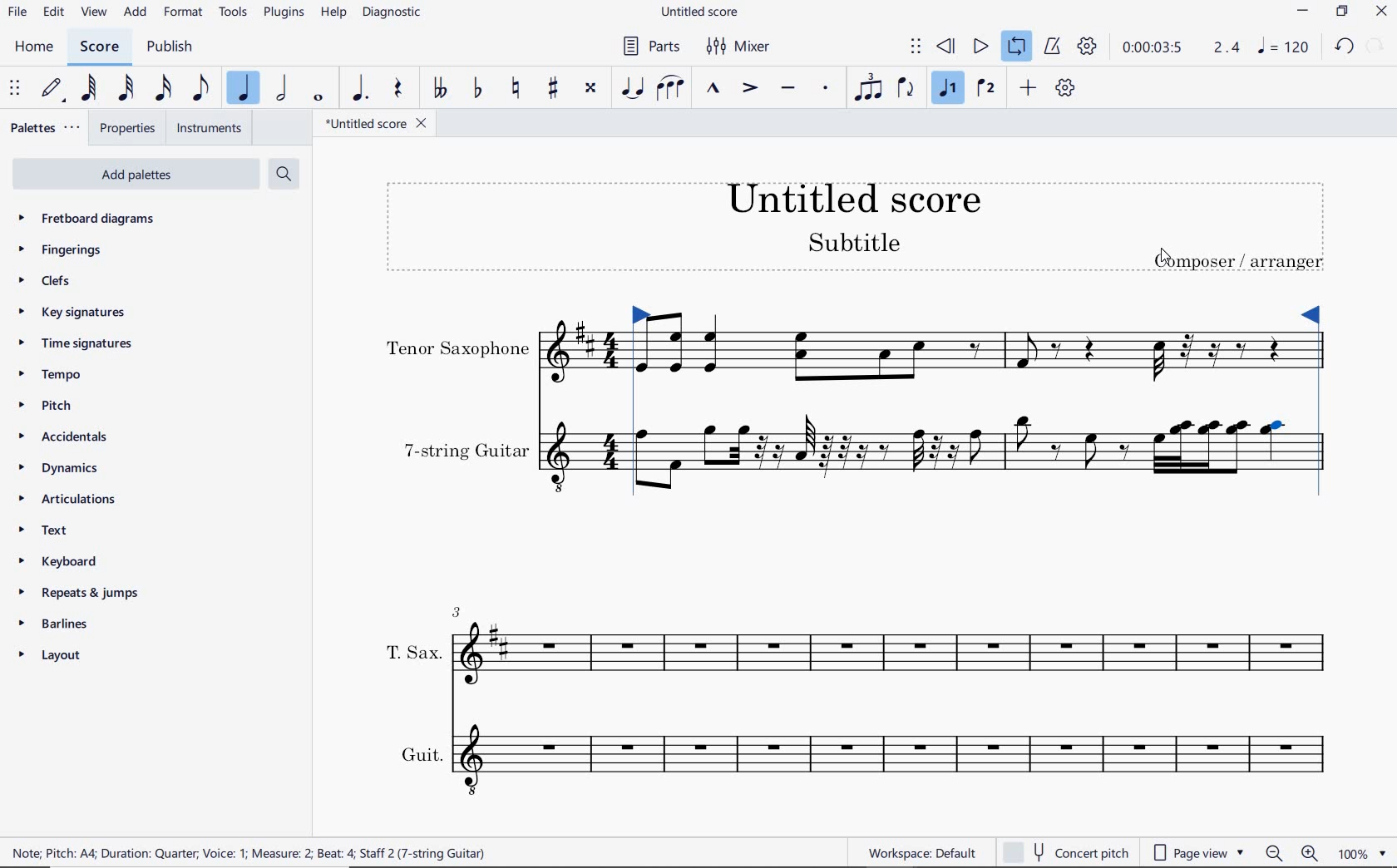 The height and width of the screenshot is (868, 1397). I want to click on INSTRUMENT: TENOR SAXOPHONE, so click(977, 348).